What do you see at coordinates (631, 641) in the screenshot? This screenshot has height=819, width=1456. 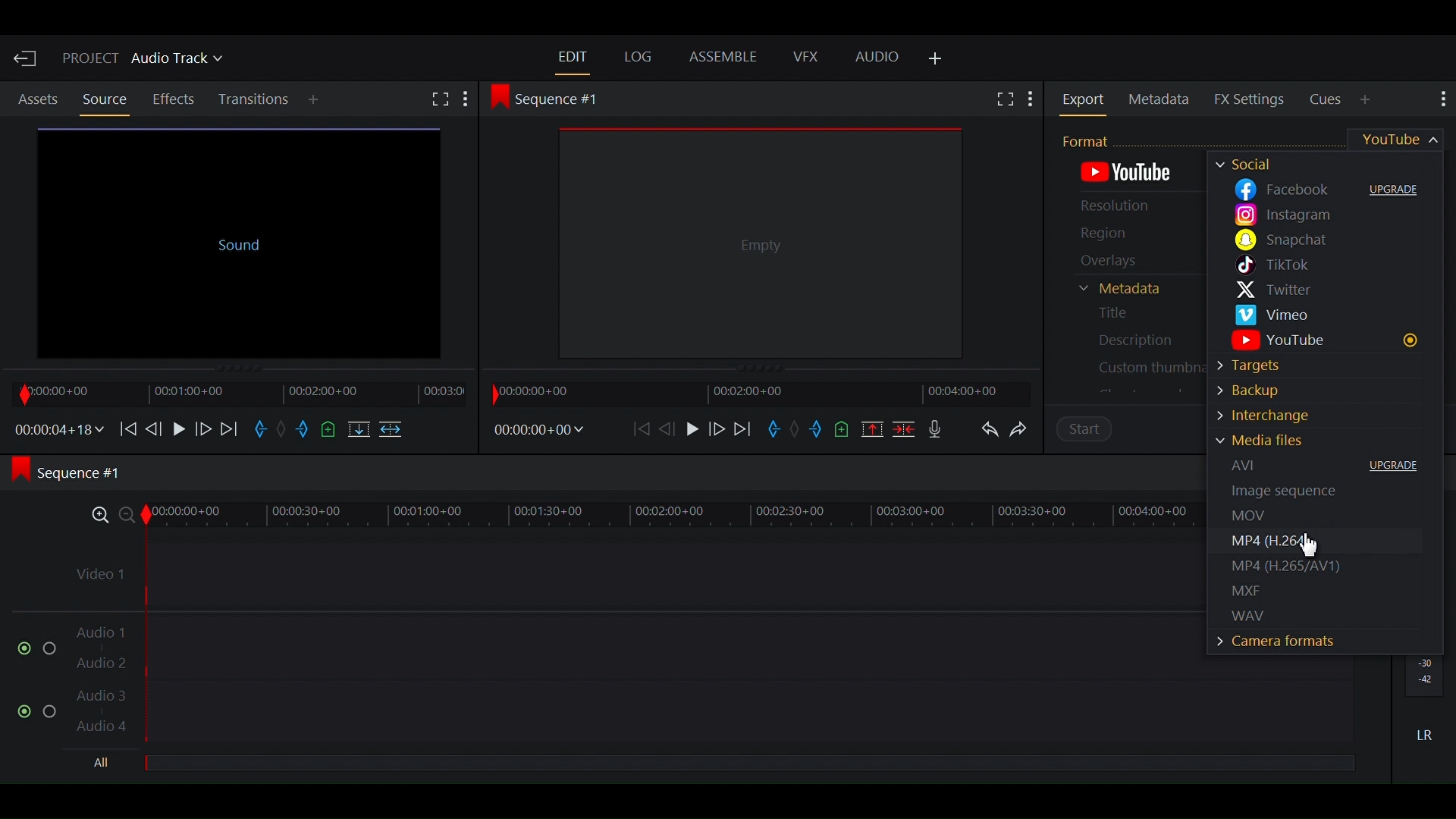 I see `Audio Track 1, Audio Track 2` at bounding box center [631, 641].